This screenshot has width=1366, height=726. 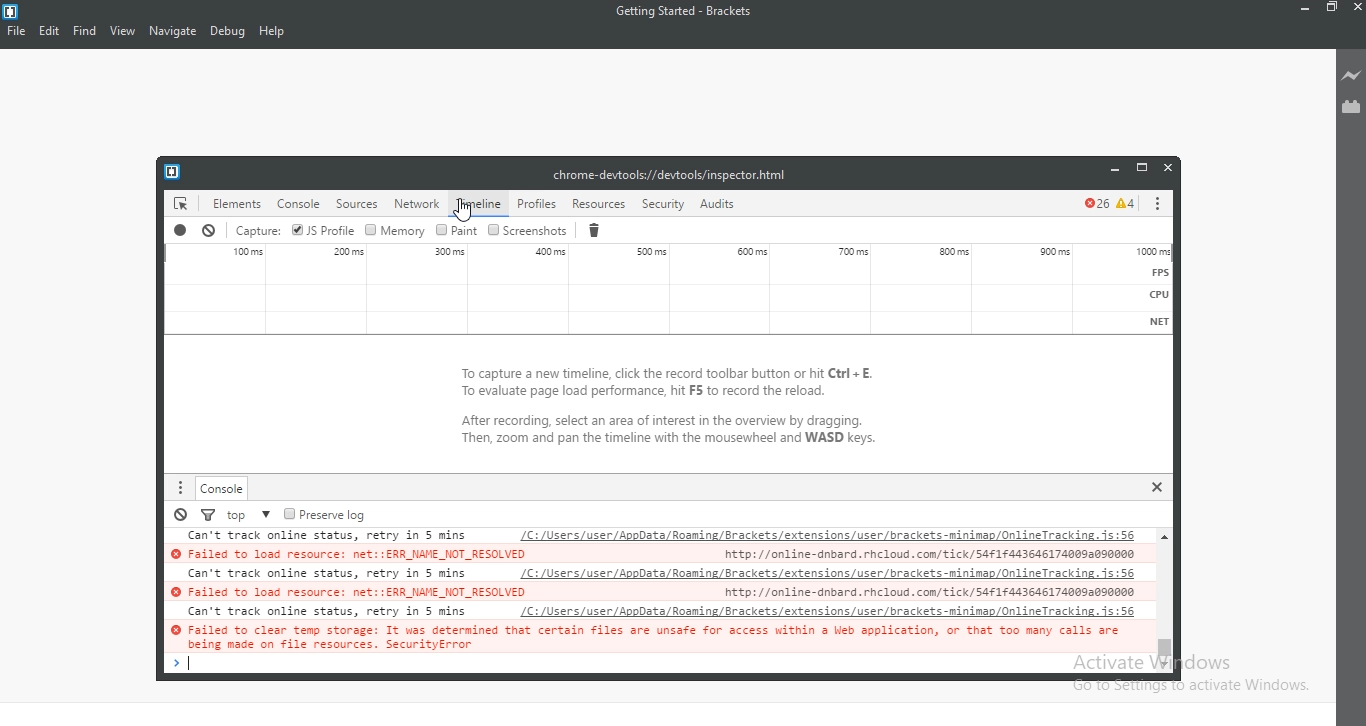 What do you see at coordinates (598, 203) in the screenshot?
I see `resources` at bounding box center [598, 203].